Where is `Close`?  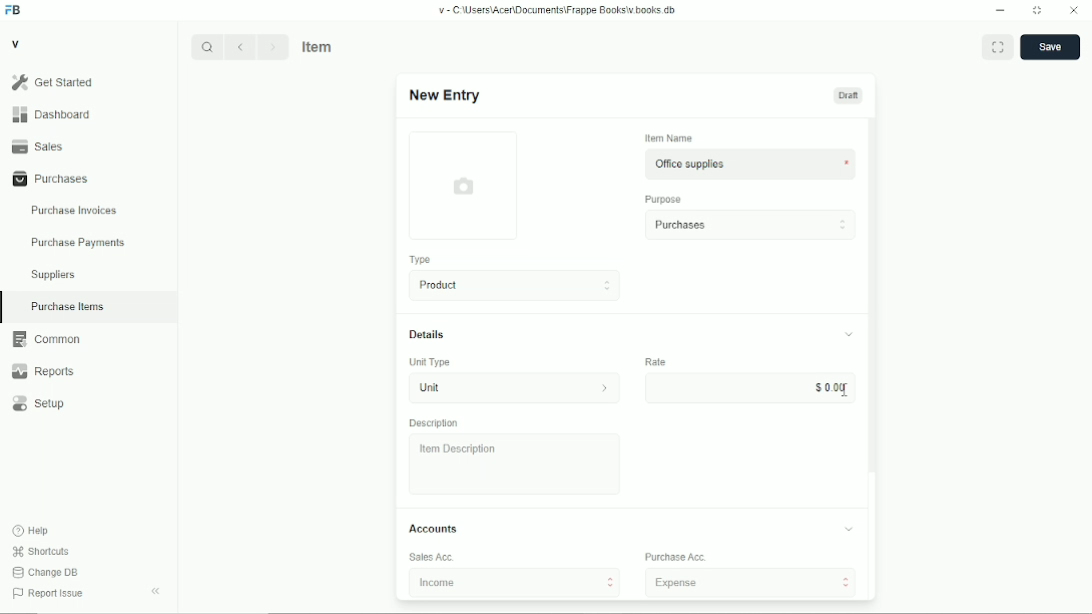
Close is located at coordinates (1074, 9).